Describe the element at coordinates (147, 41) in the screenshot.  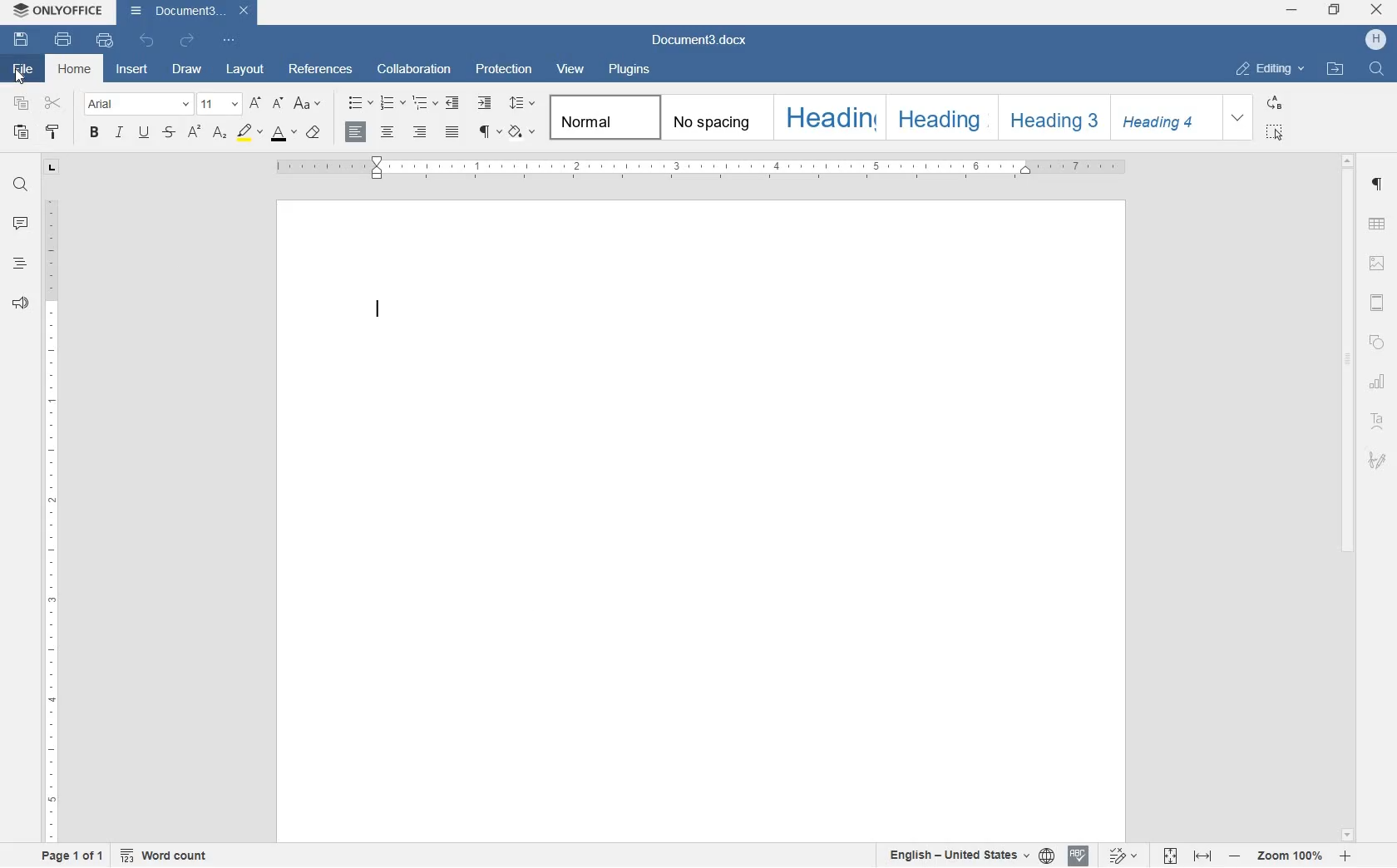
I see `undo` at that location.